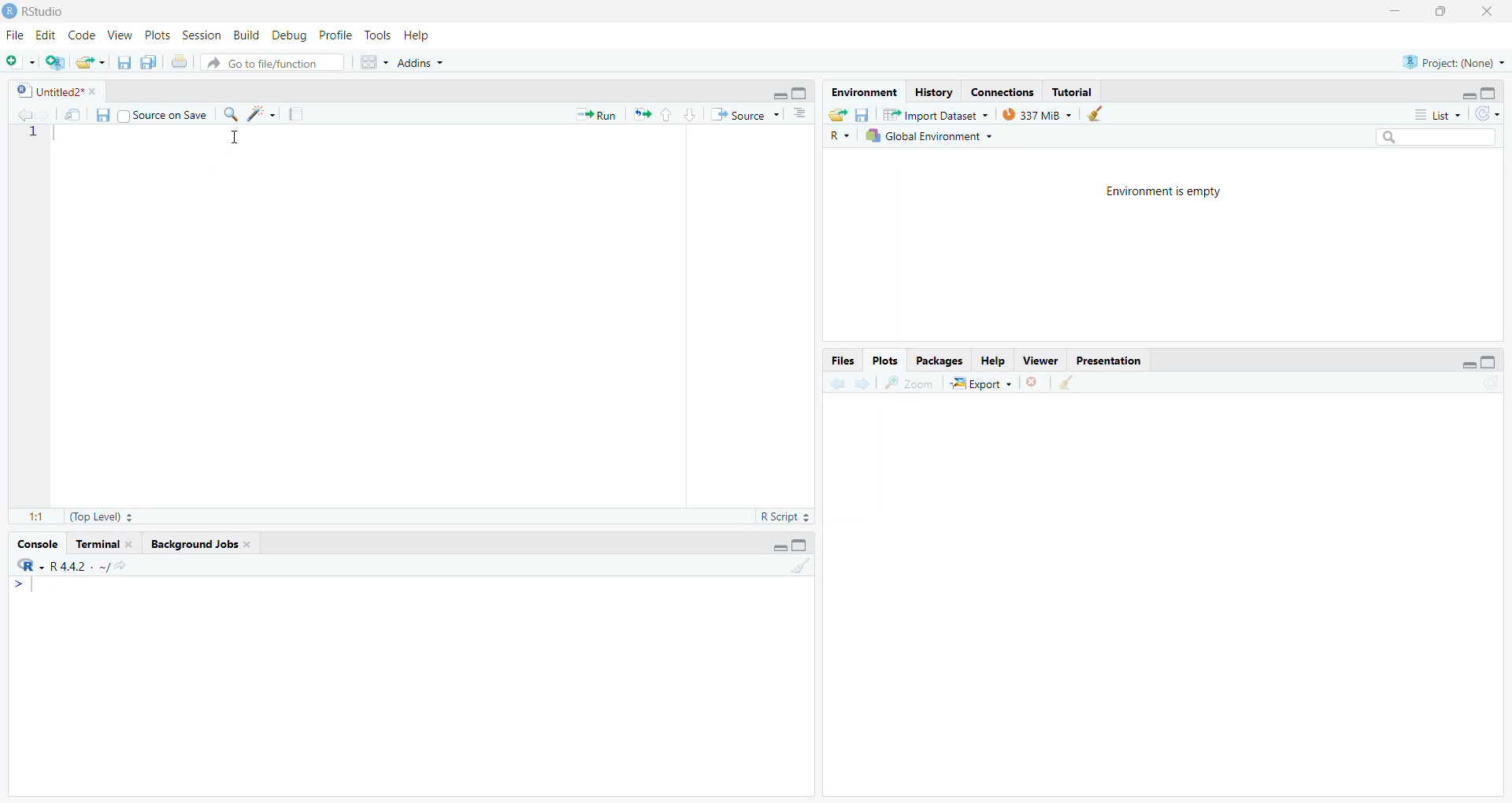  What do you see at coordinates (1452, 61) in the screenshot?
I see `Project: (None) ` at bounding box center [1452, 61].